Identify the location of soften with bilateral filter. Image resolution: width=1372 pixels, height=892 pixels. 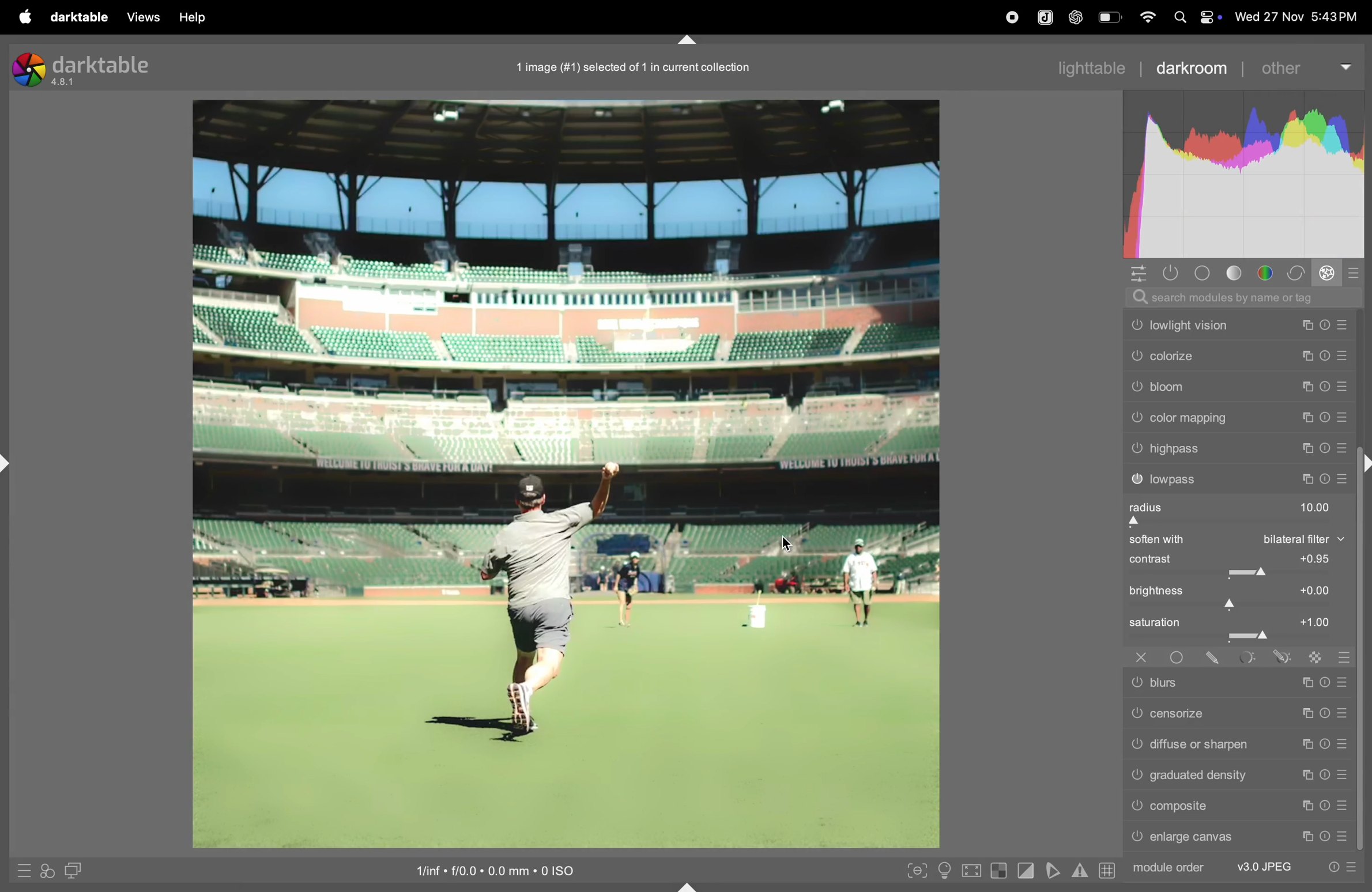
(1234, 541).